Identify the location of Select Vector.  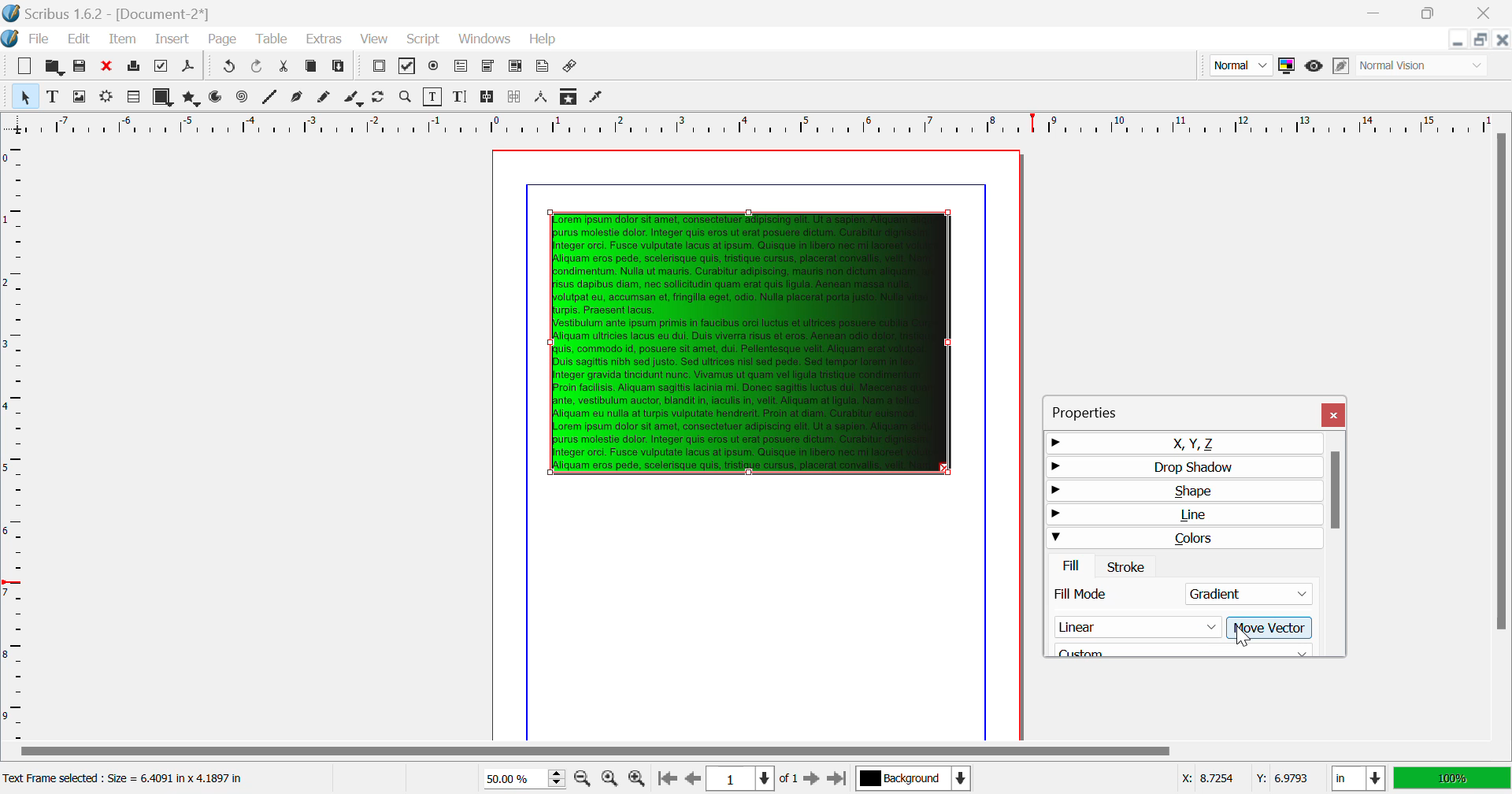
(1178, 627).